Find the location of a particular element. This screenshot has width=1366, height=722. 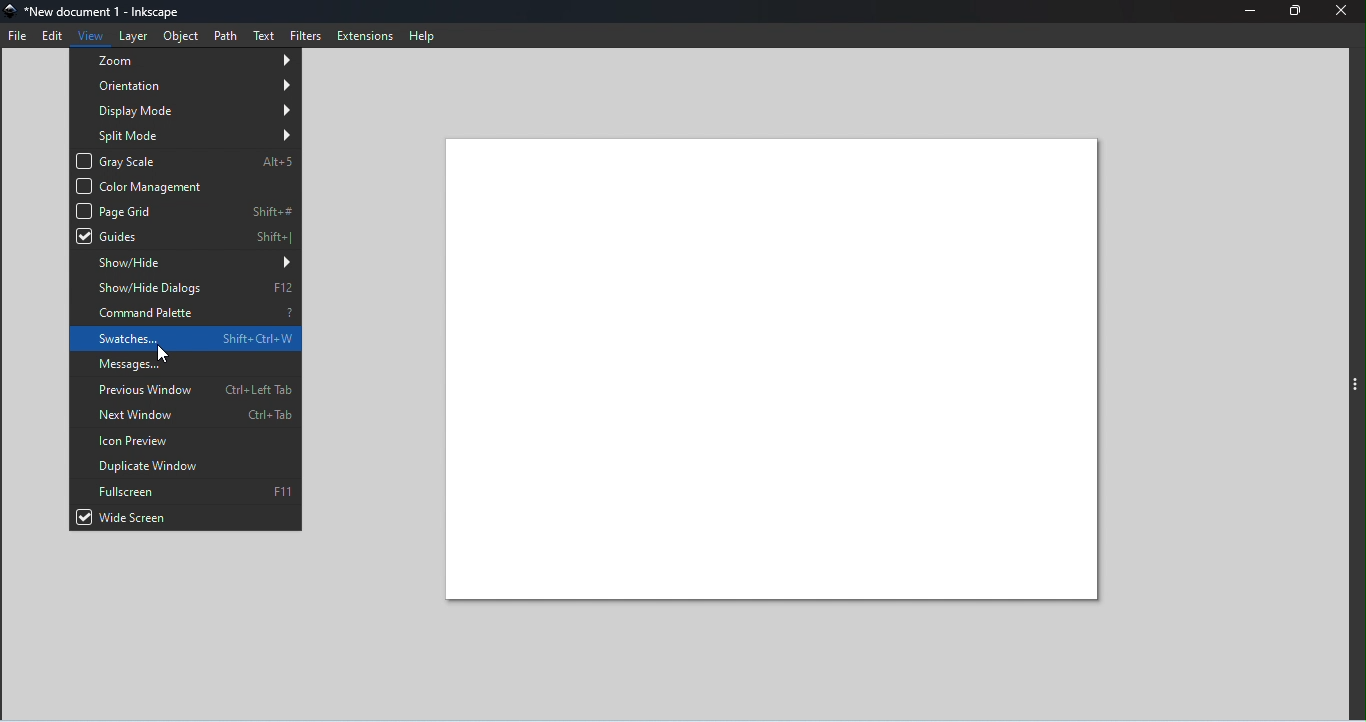

Previous window is located at coordinates (187, 388).